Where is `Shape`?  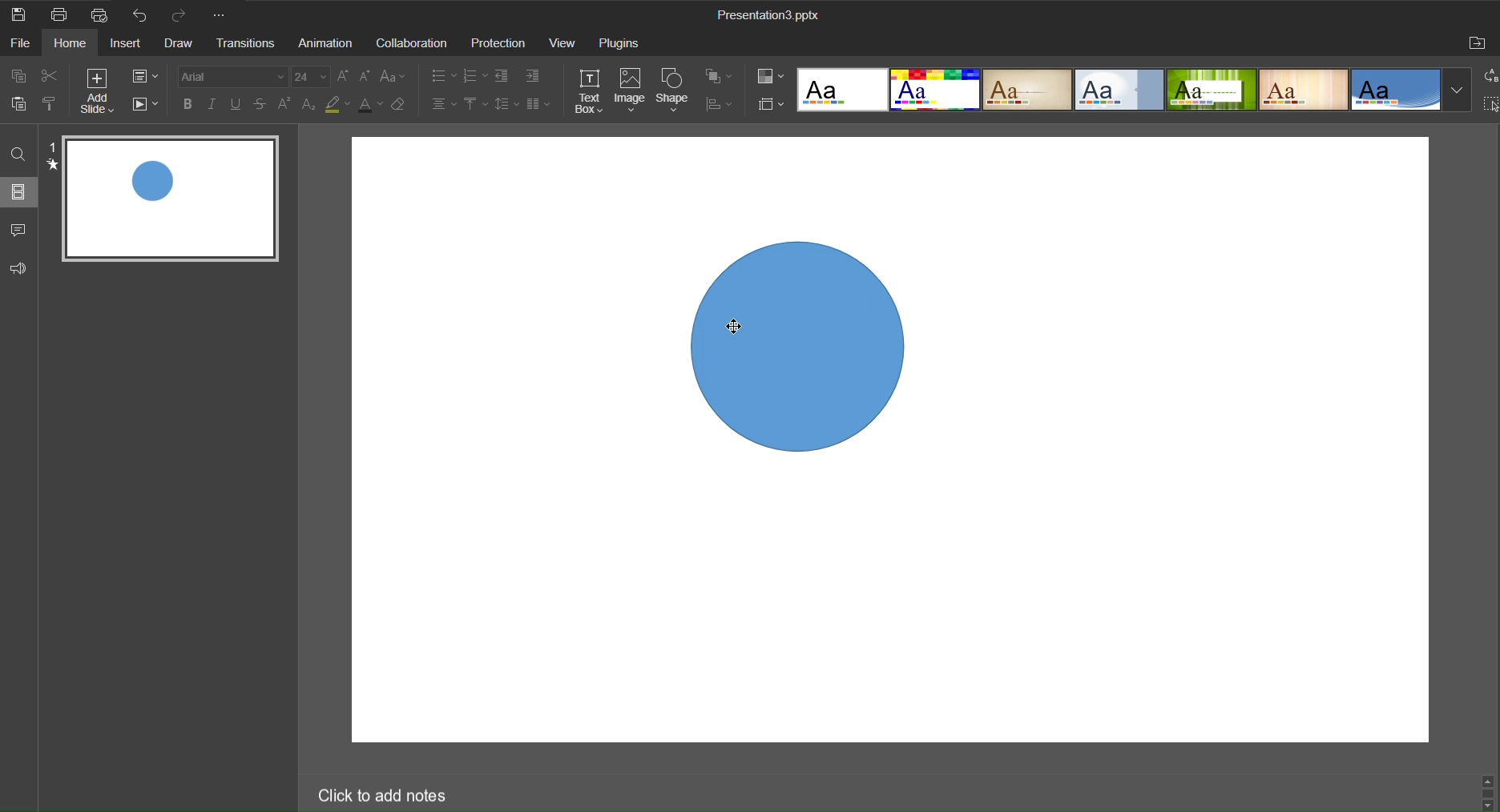 Shape is located at coordinates (799, 348).